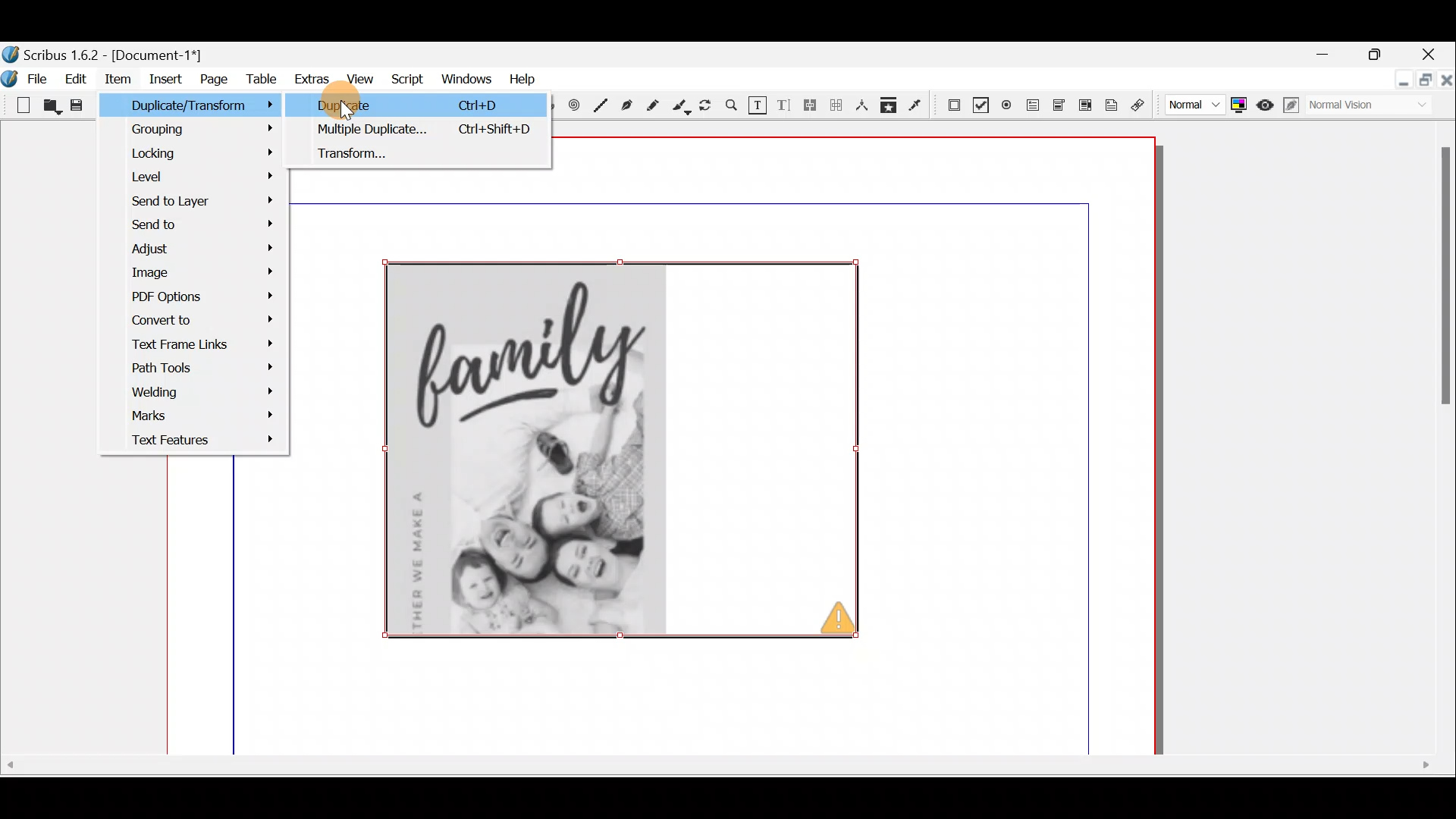 The height and width of the screenshot is (819, 1456). I want to click on Close, so click(1445, 88).